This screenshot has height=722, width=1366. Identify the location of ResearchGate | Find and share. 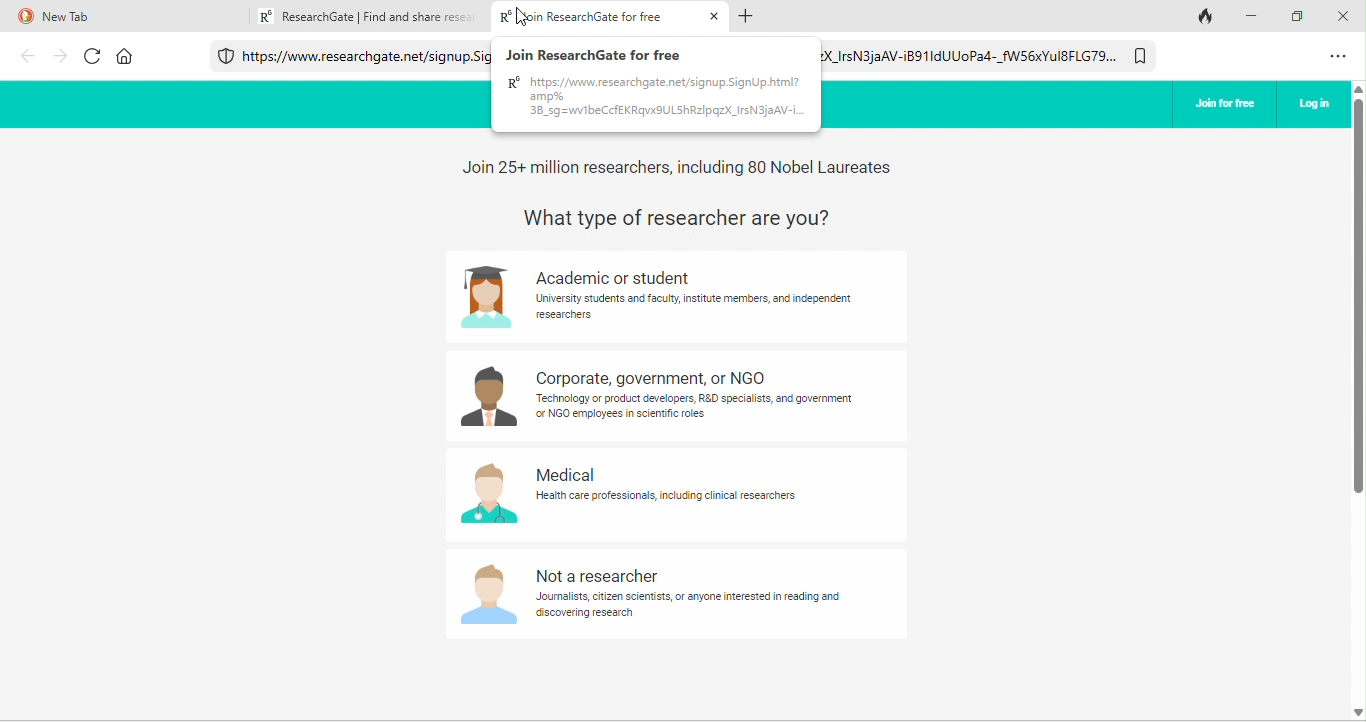
(374, 15).